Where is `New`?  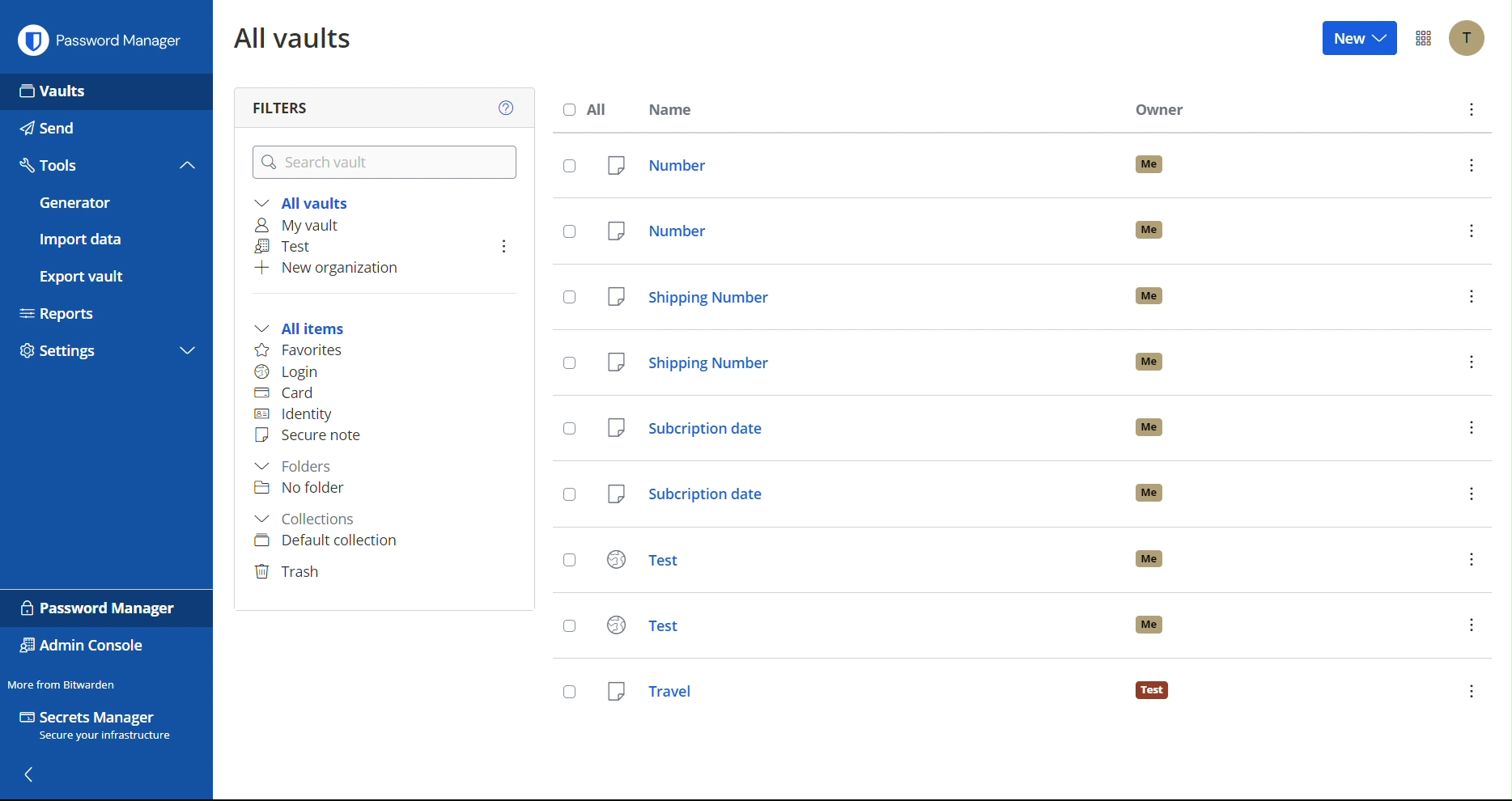 New is located at coordinates (1362, 37).